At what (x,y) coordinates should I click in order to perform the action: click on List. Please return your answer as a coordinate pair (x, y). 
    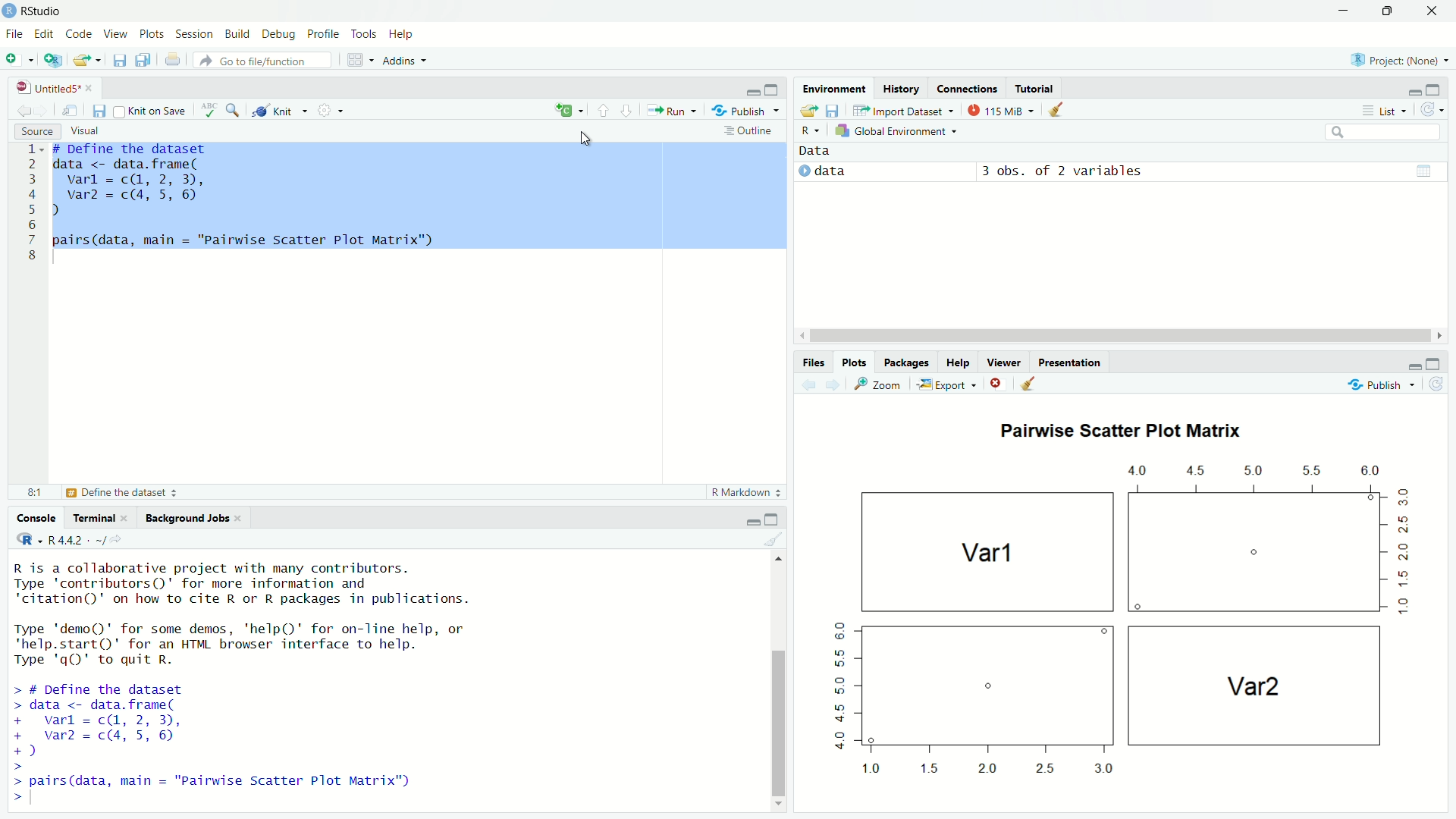
    Looking at the image, I should click on (1385, 110).